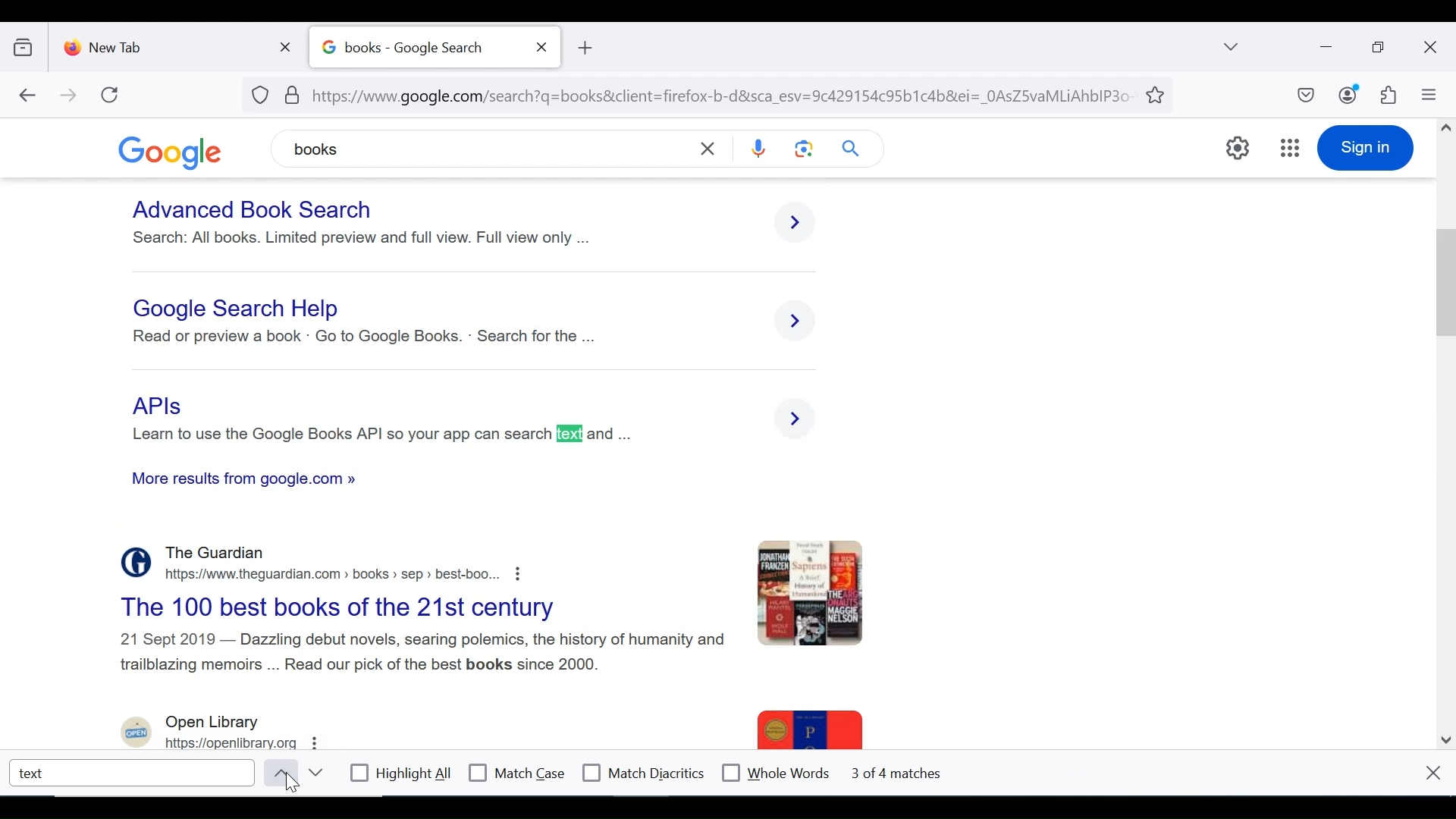 Image resolution: width=1456 pixels, height=819 pixels. Describe the element at coordinates (1238, 148) in the screenshot. I see `quick settings` at that location.